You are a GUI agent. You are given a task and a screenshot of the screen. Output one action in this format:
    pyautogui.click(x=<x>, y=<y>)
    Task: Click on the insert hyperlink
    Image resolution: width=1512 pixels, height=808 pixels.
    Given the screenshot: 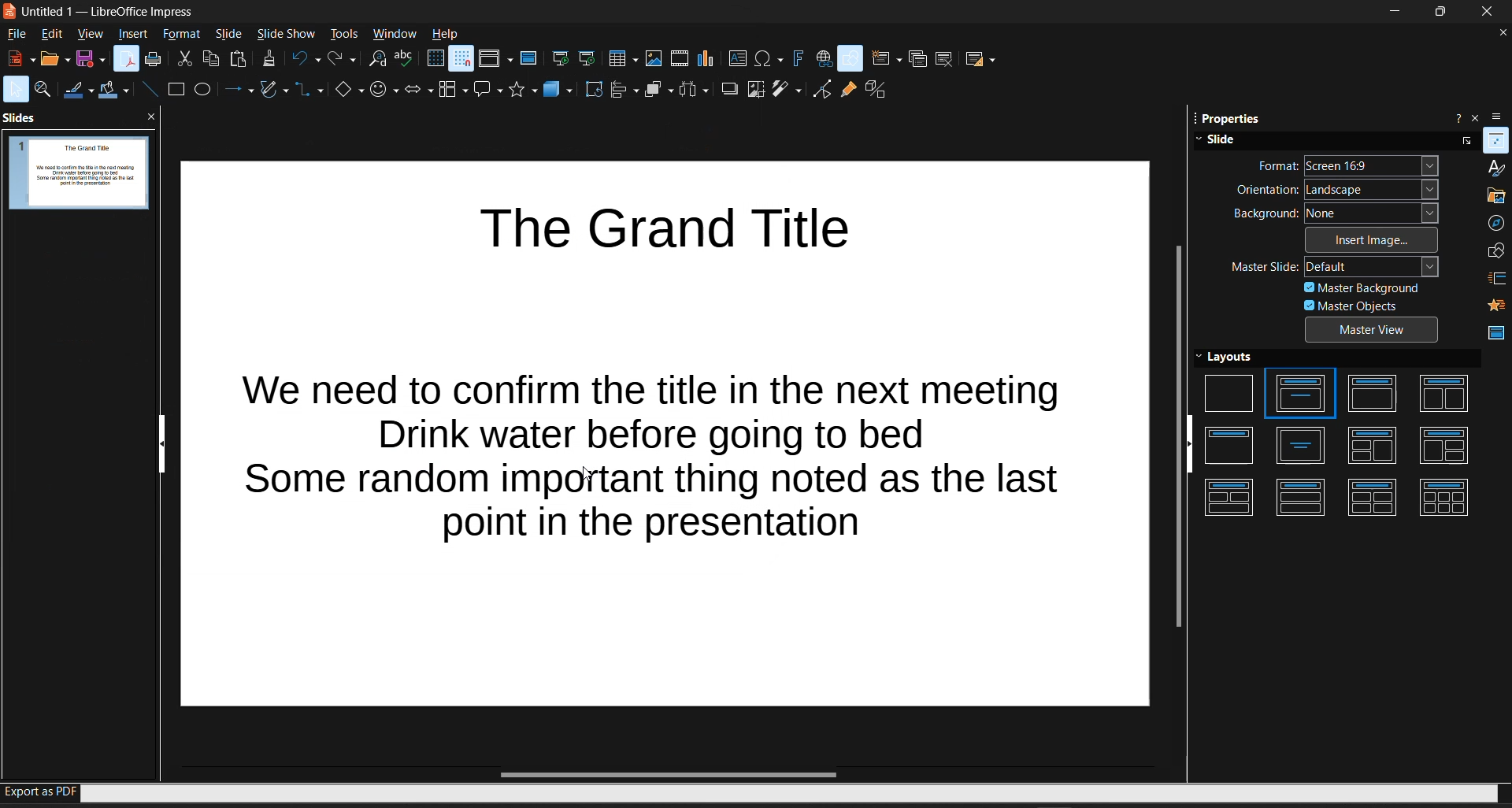 What is the action you would take?
    pyautogui.click(x=821, y=55)
    